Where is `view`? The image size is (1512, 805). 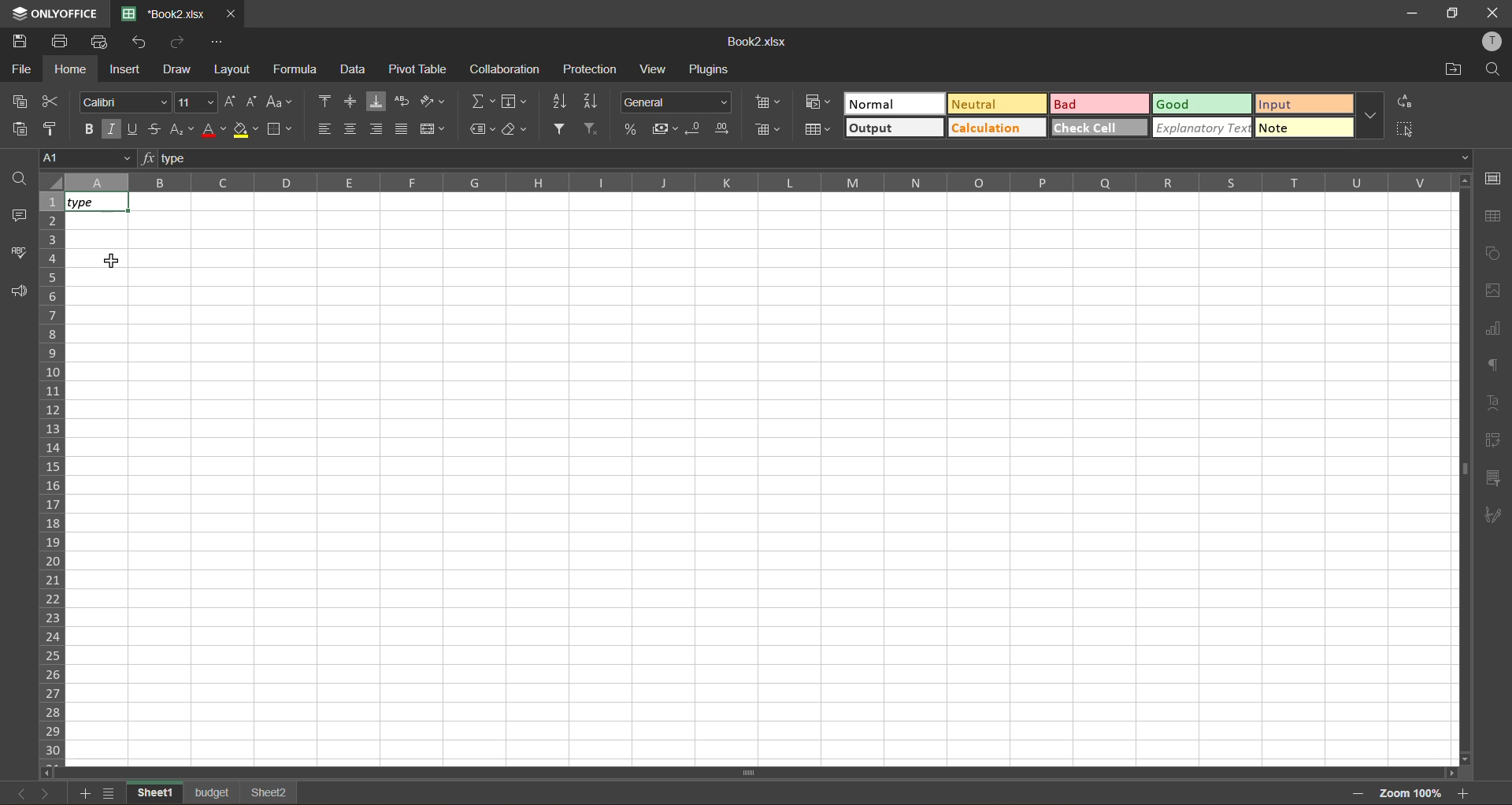
view is located at coordinates (652, 71).